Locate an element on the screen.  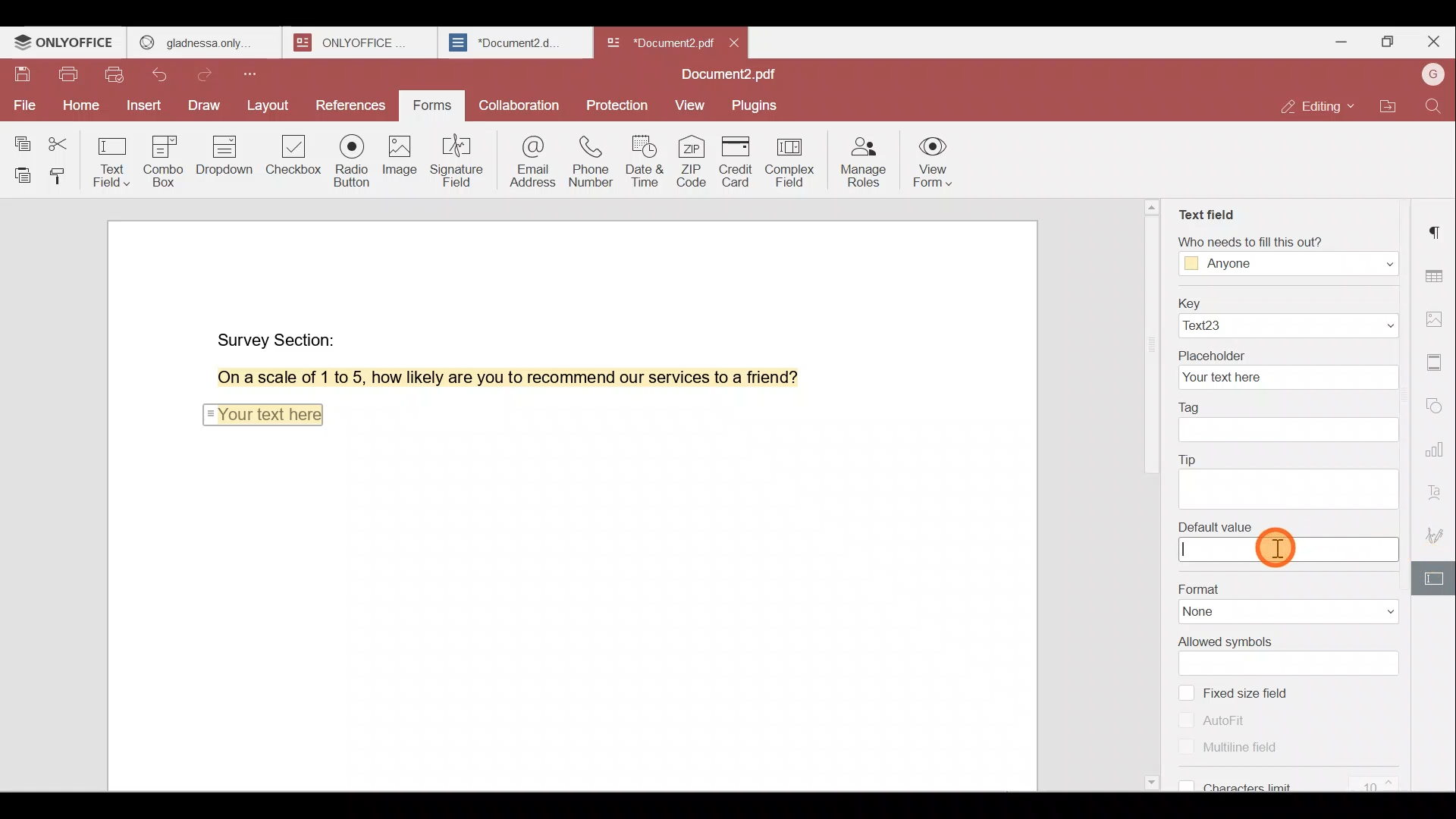
Minimize is located at coordinates (1337, 40).